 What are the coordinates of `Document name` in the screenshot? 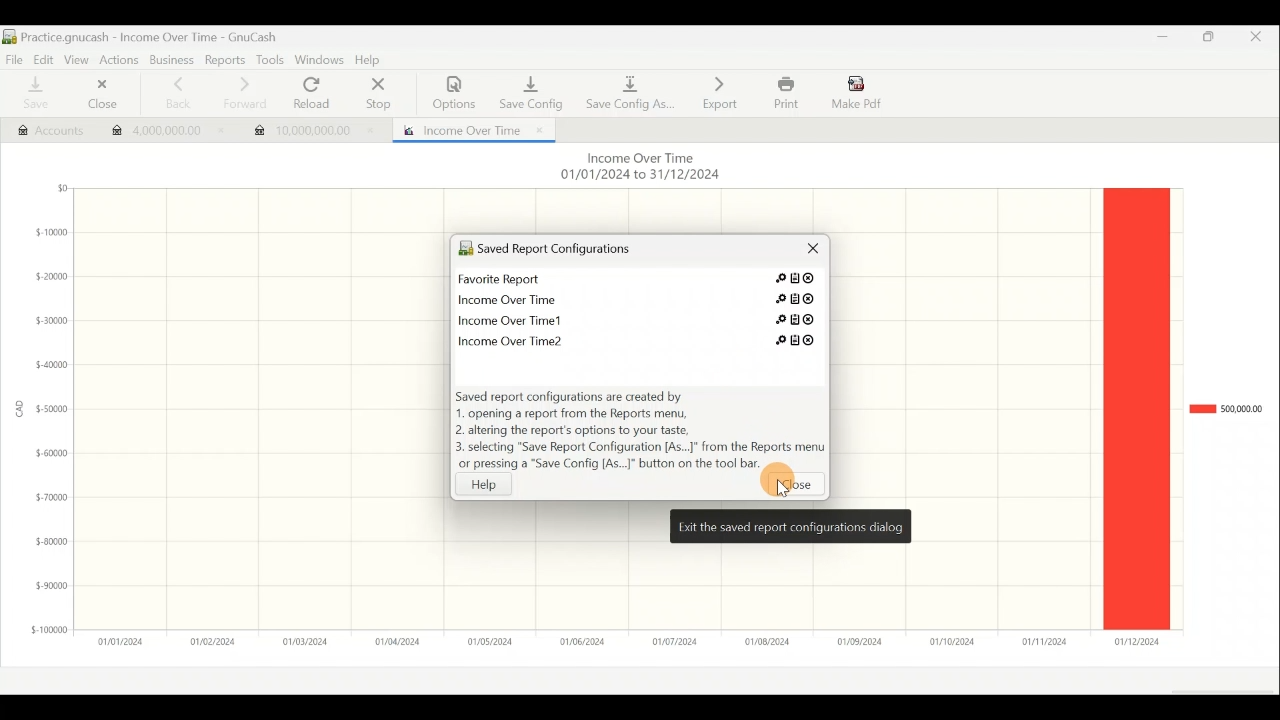 It's located at (150, 37).